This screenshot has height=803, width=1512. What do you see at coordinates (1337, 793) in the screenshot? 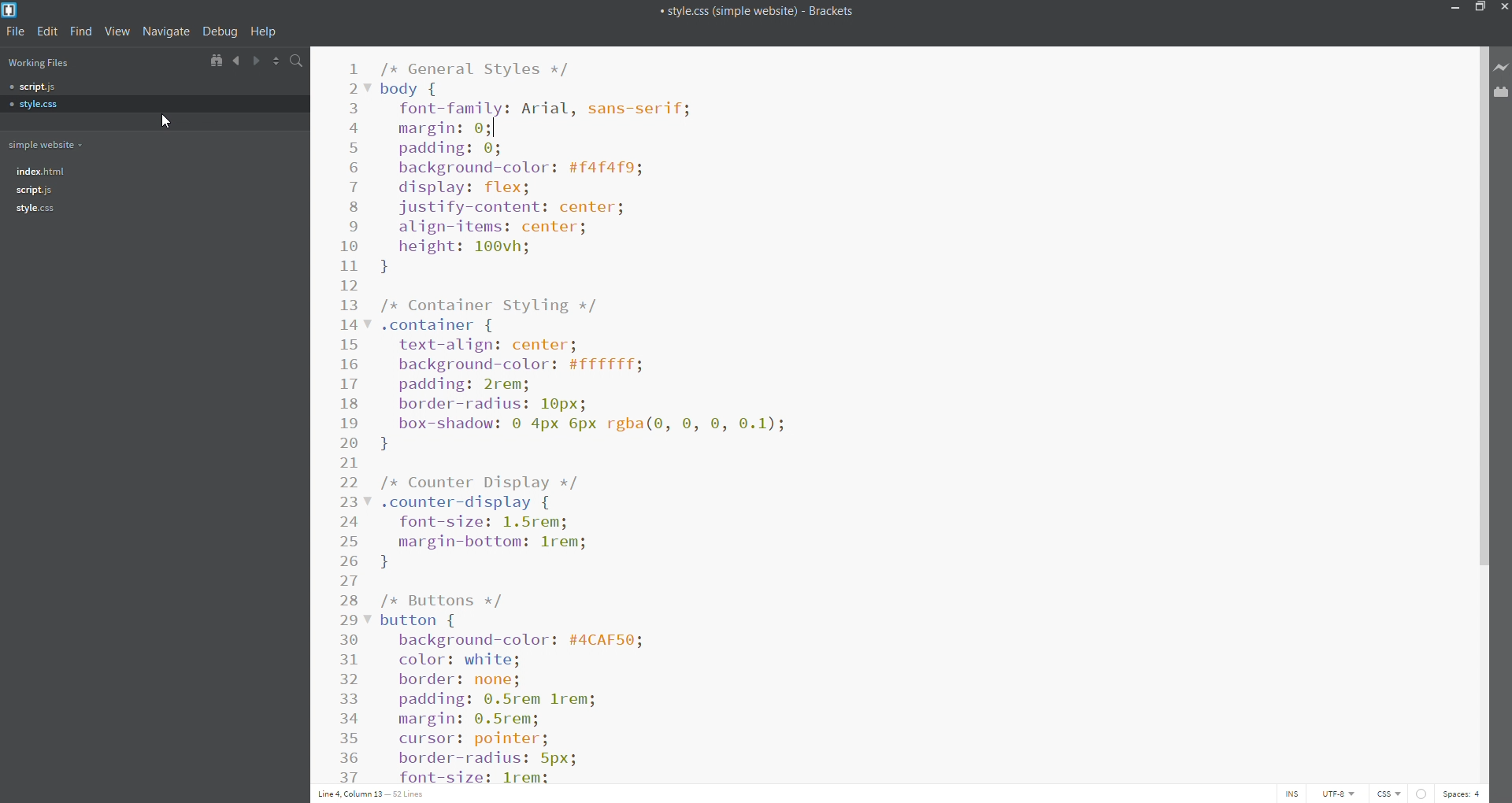
I see `utf-8` at bounding box center [1337, 793].